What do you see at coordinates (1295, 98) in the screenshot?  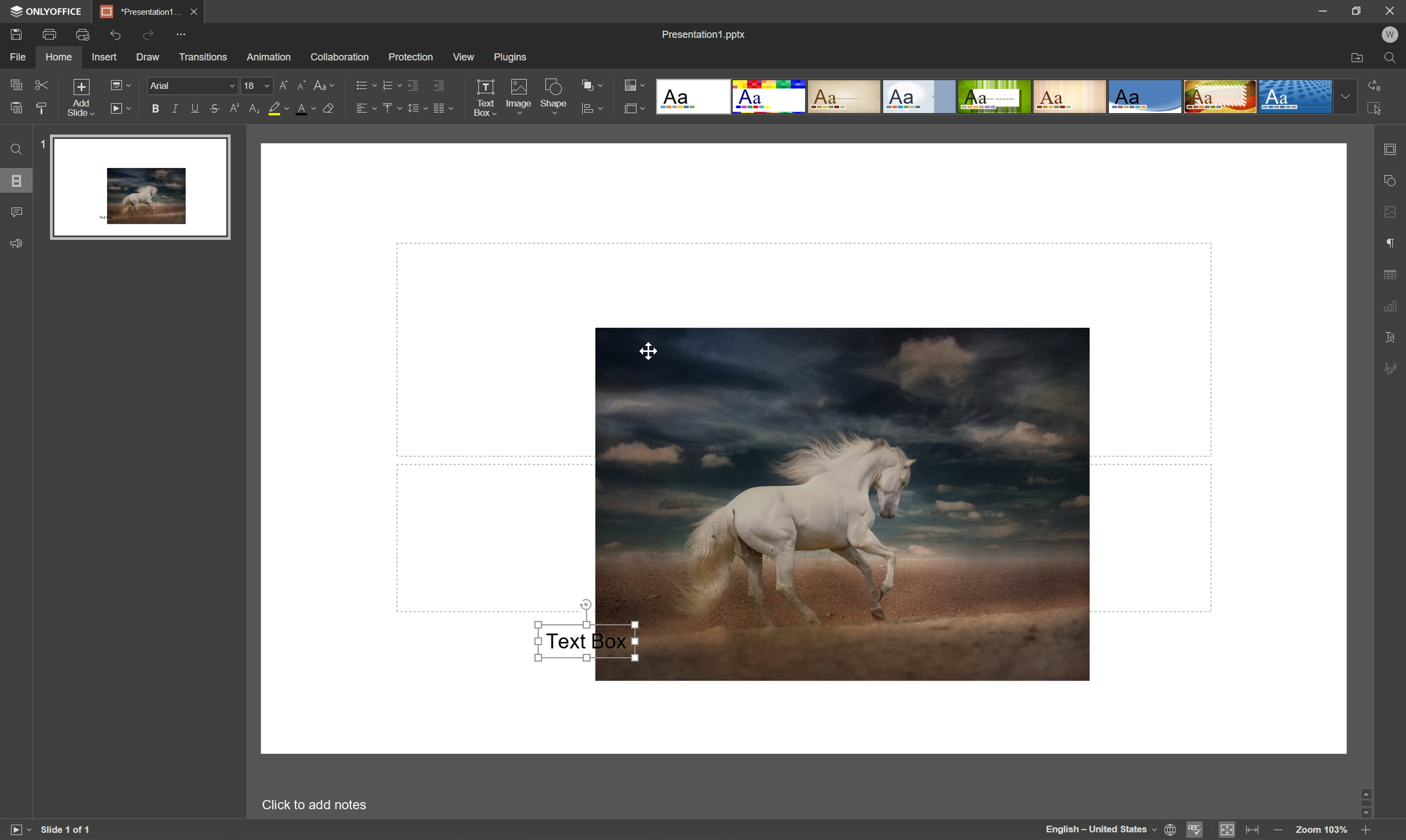 I see `Dotted` at bounding box center [1295, 98].